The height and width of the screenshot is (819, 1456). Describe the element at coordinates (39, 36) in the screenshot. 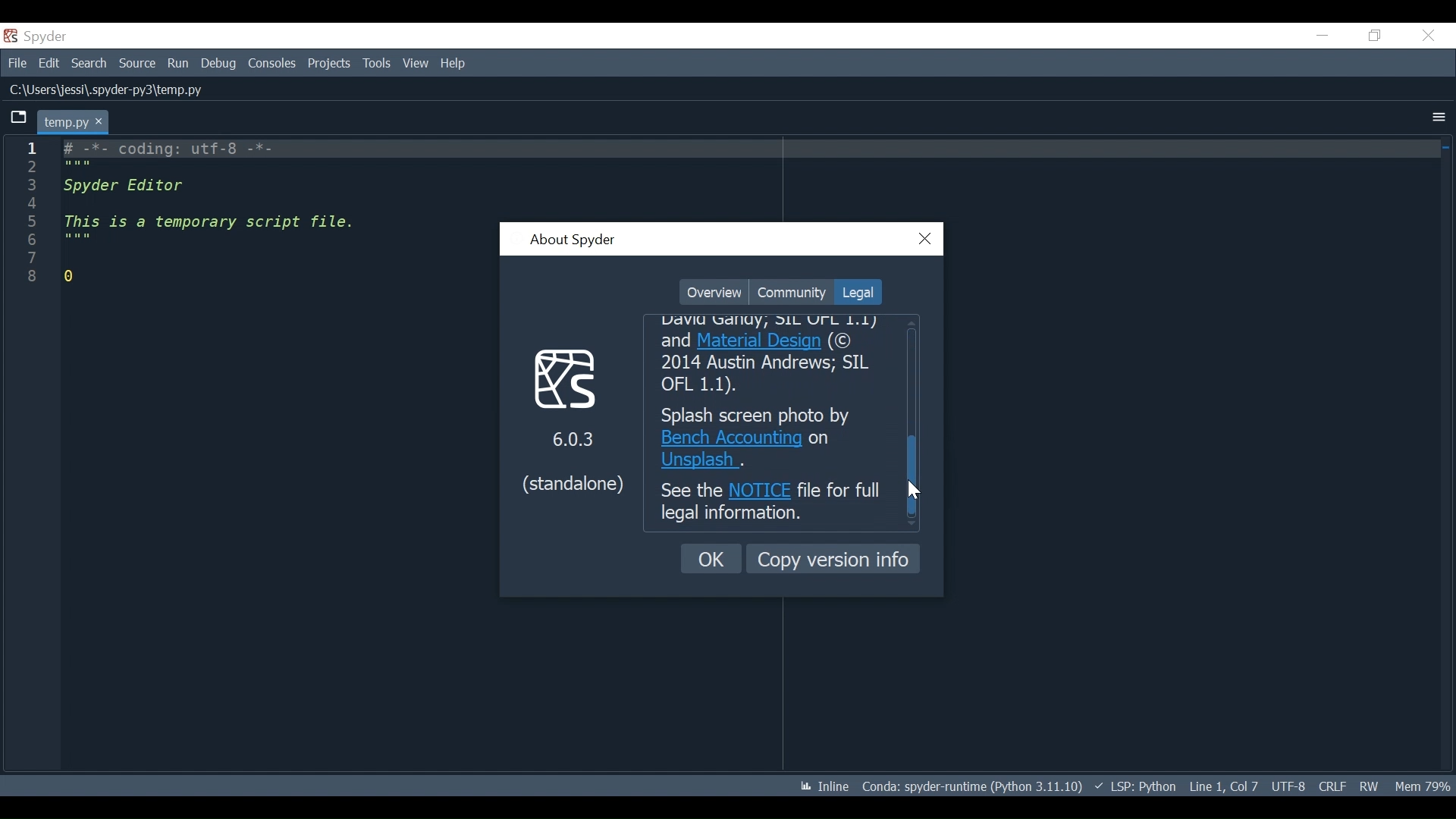

I see `Spyder Desktop Icon` at that location.